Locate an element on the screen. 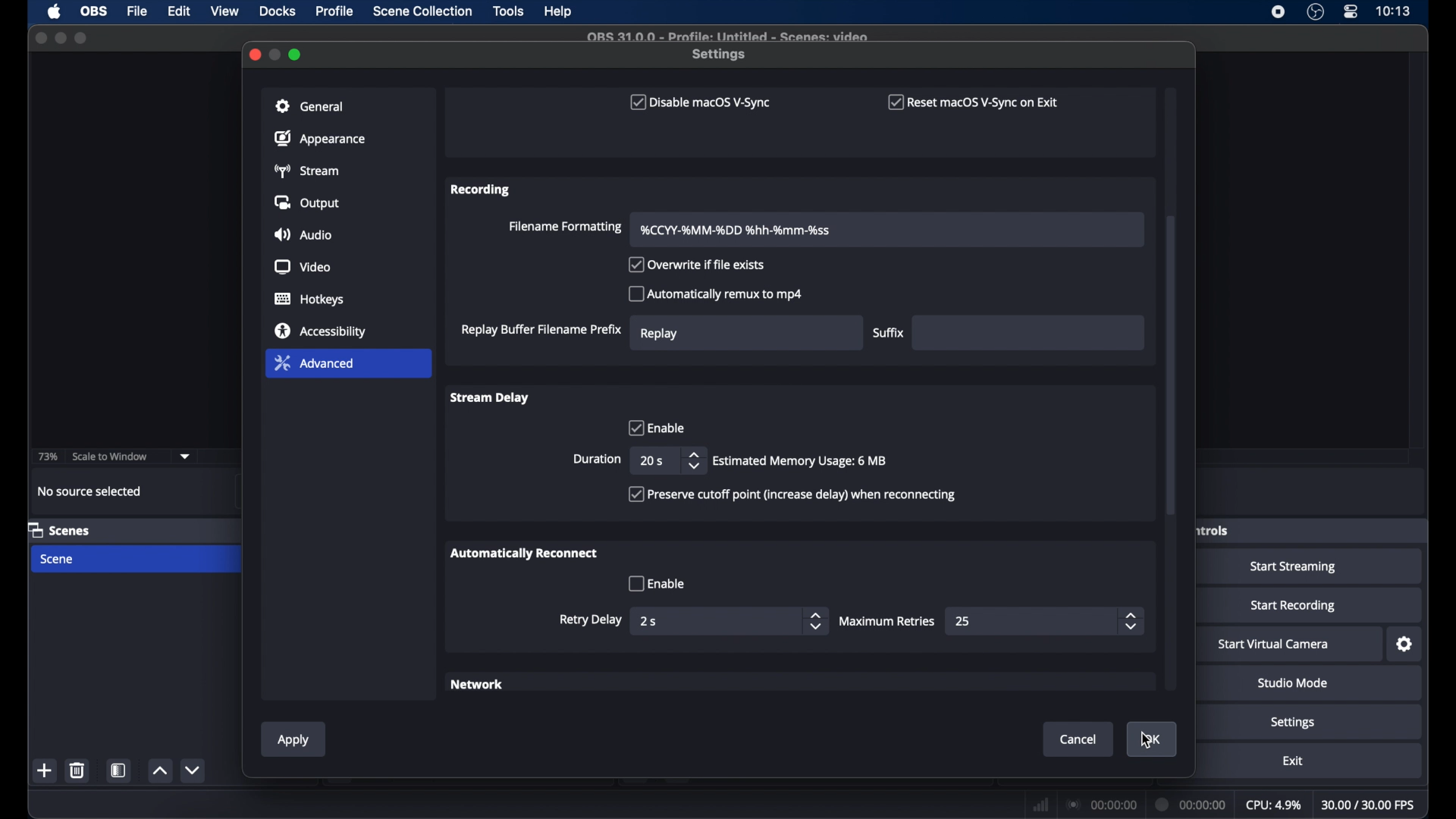  suffix is located at coordinates (889, 333).